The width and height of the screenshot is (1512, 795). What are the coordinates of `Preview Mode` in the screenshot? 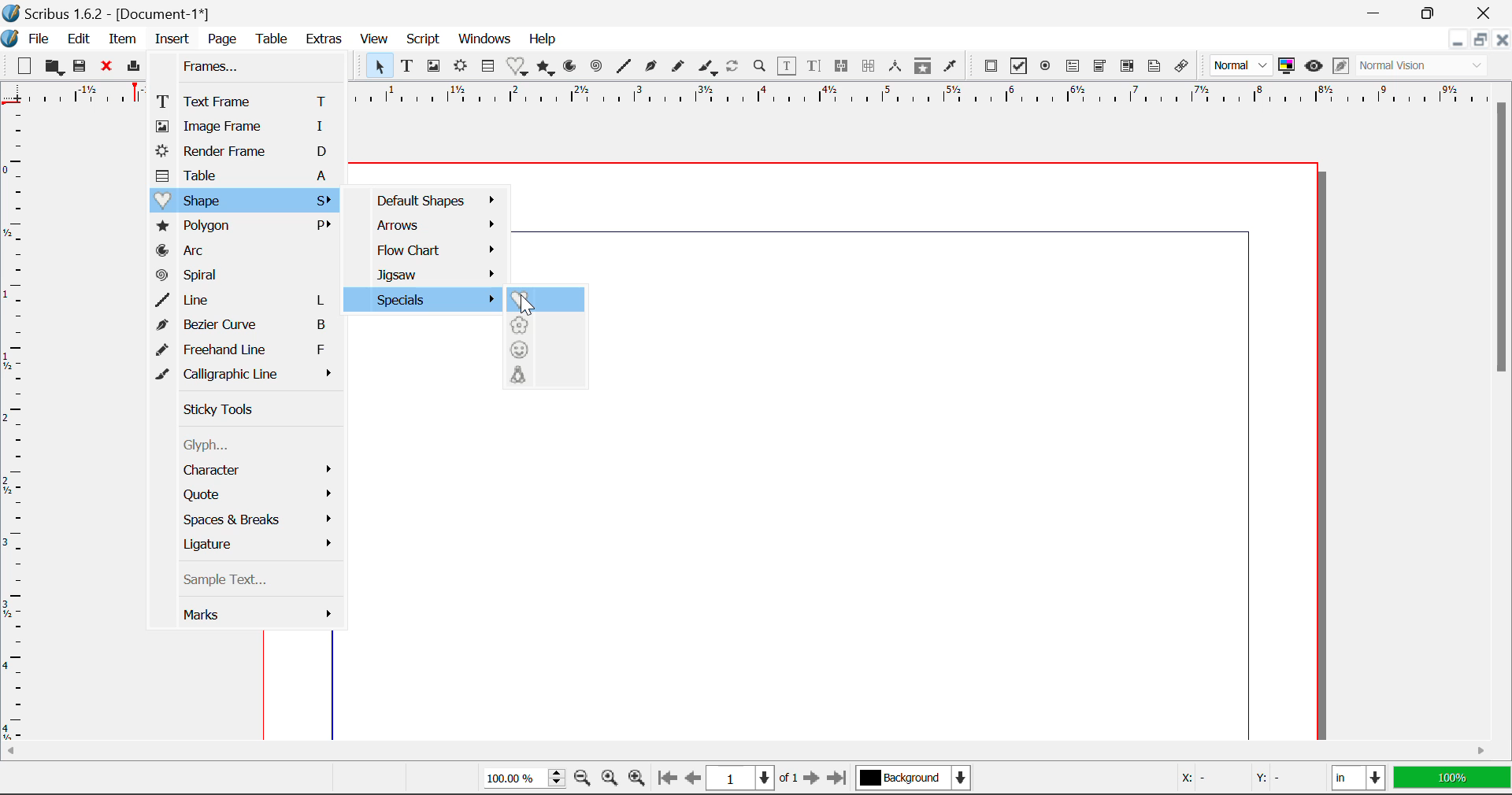 It's located at (1314, 68).